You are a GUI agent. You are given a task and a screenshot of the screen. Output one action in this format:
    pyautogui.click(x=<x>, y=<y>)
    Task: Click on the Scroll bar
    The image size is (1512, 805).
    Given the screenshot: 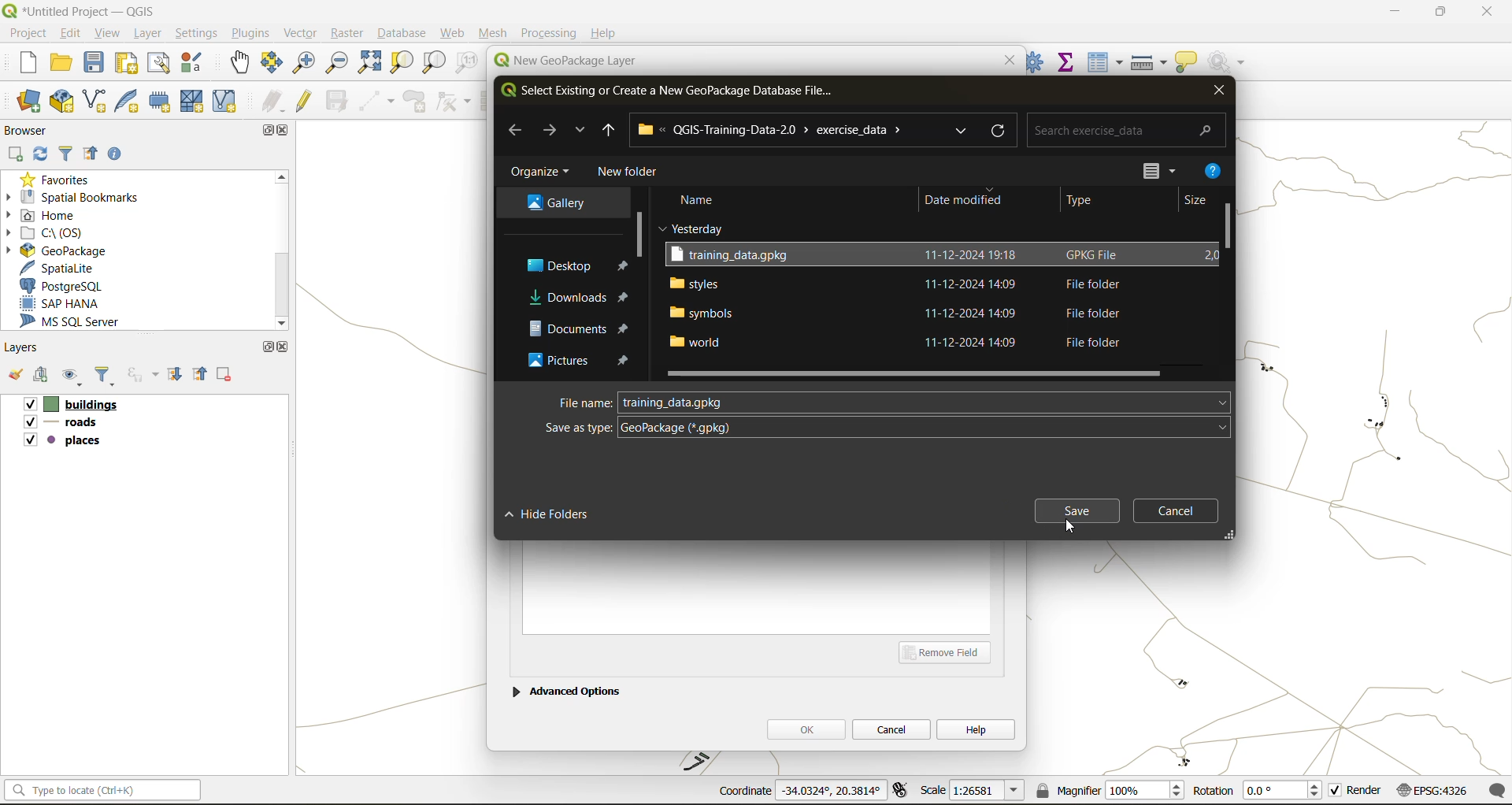 What is the action you would take?
    pyautogui.click(x=280, y=250)
    